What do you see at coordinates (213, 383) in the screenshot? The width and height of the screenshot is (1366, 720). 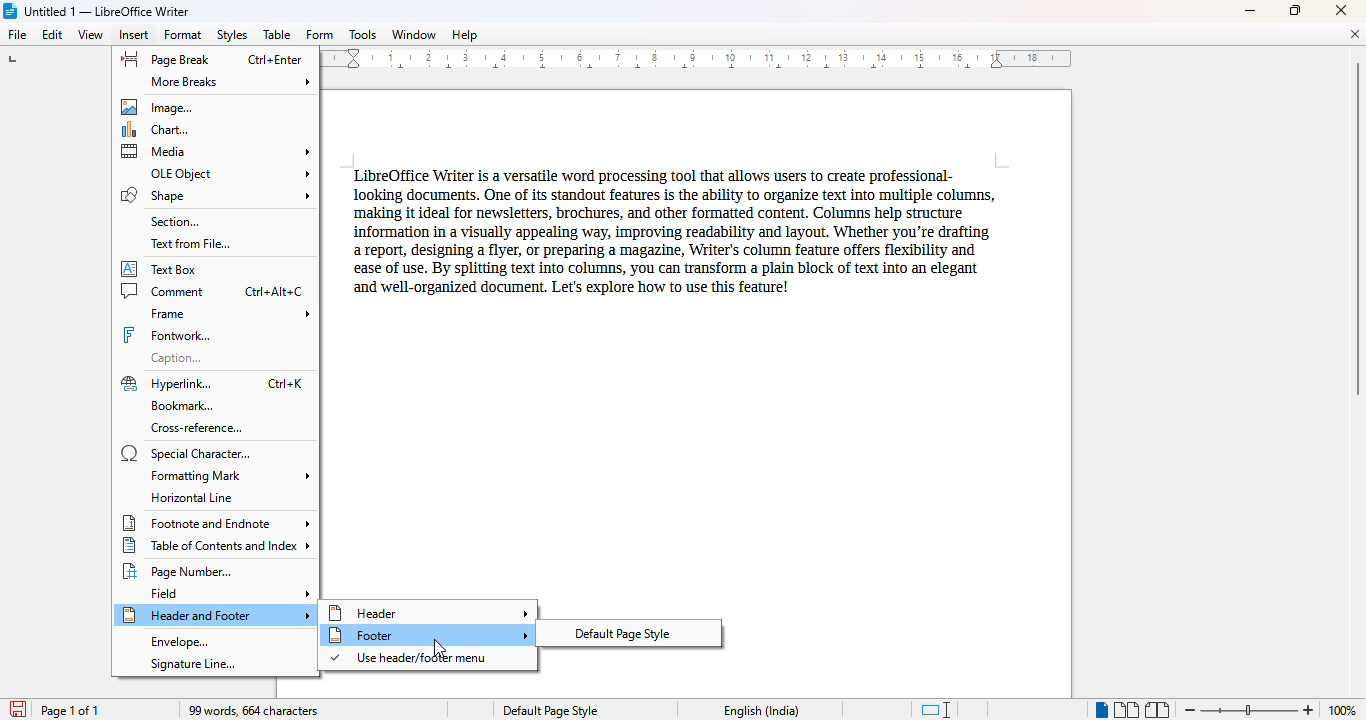 I see `hyperlink` at bounding box center [213, 383].